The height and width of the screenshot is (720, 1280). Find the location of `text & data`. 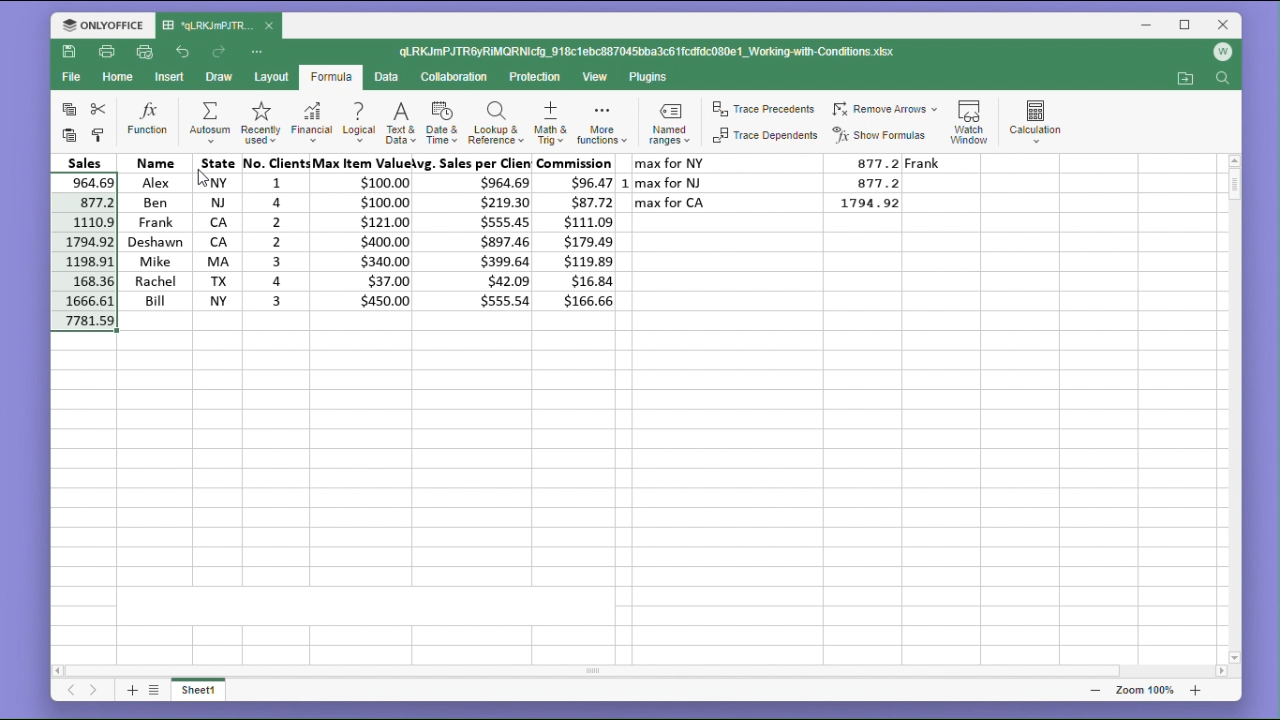

text & data is located at coordinates (399, 122).